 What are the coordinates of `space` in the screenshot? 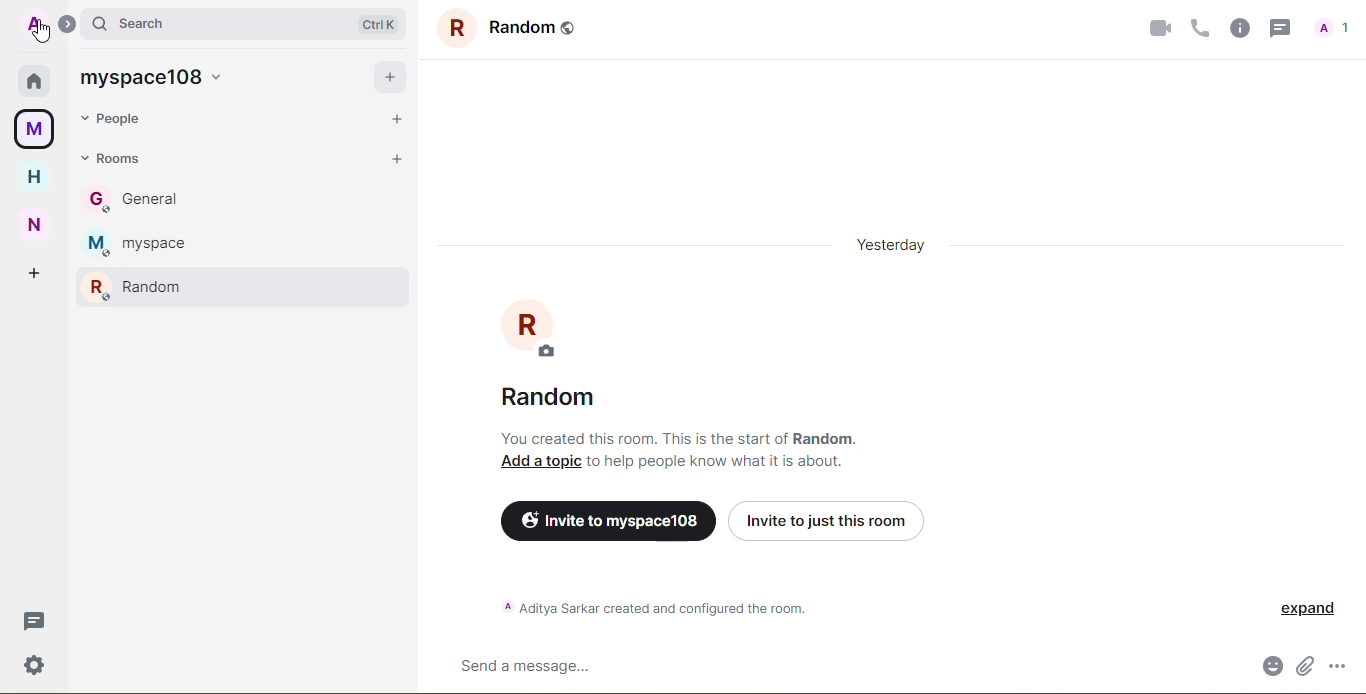 It's located at (153, 78).